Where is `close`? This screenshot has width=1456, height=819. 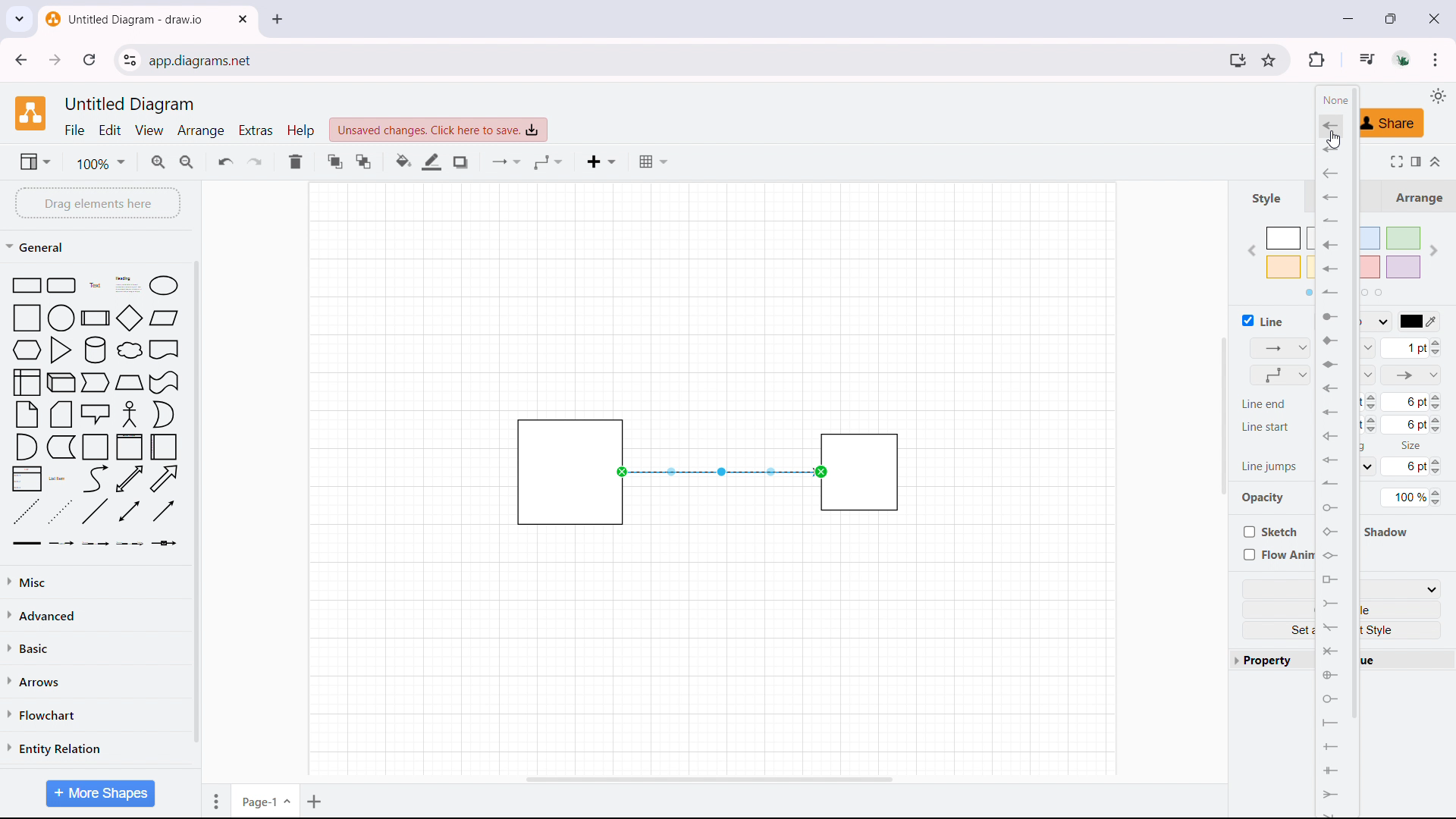
close is located at coordinates (1433, 17).